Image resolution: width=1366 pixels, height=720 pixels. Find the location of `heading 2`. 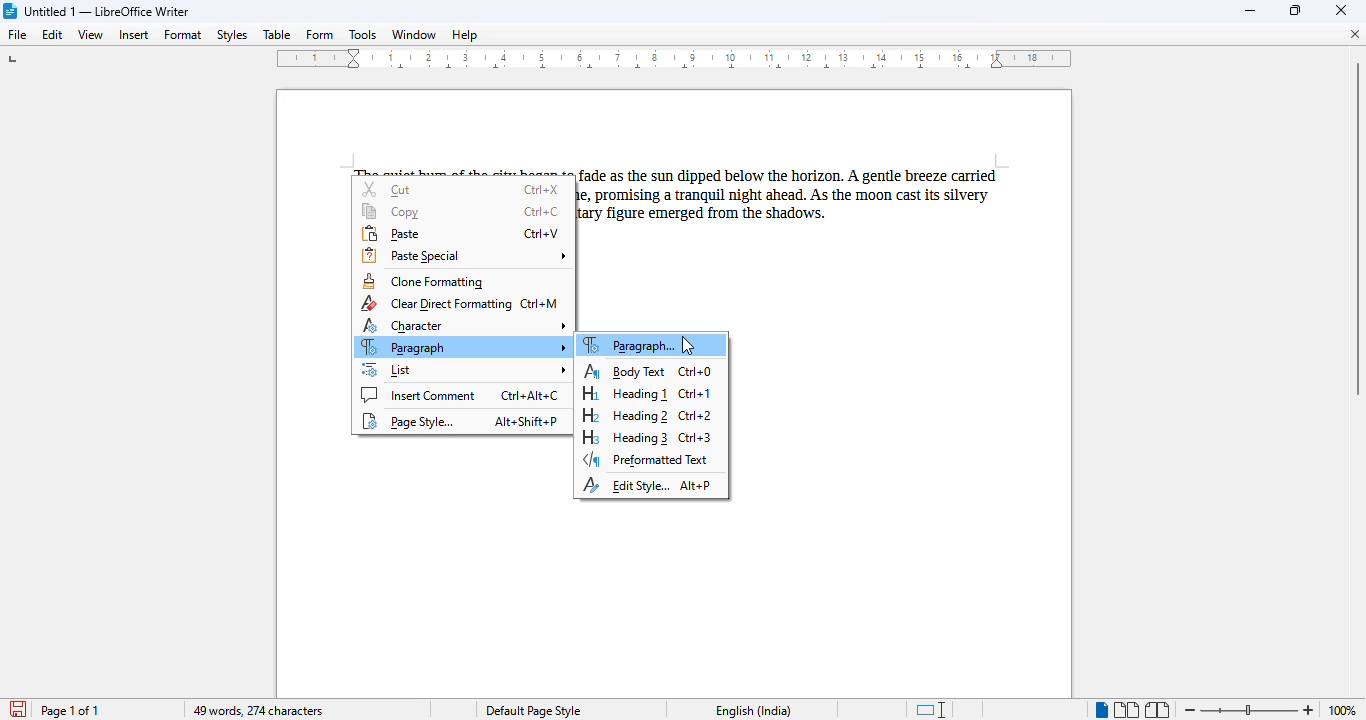

heading 2 is located at coordinates (647, 417).